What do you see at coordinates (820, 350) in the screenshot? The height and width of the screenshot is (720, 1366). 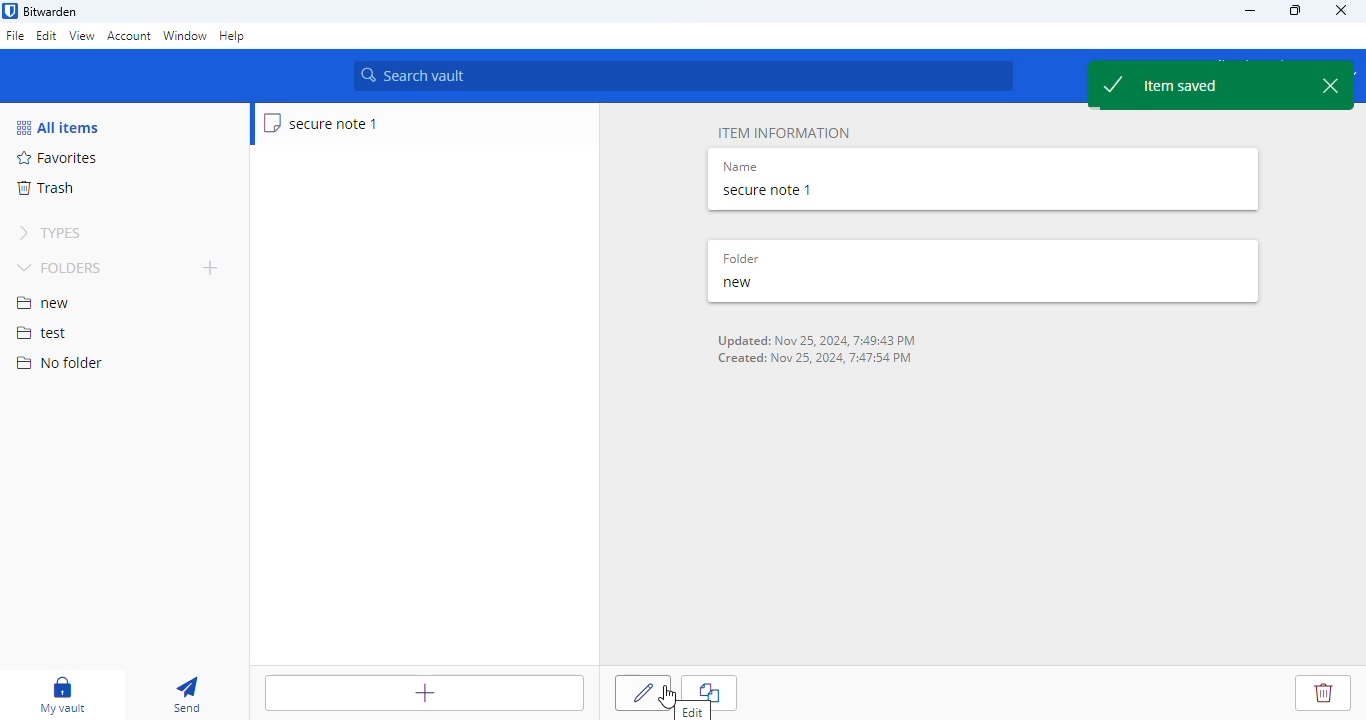 I see `updated and created date & time` at bounding box center [820, 350].